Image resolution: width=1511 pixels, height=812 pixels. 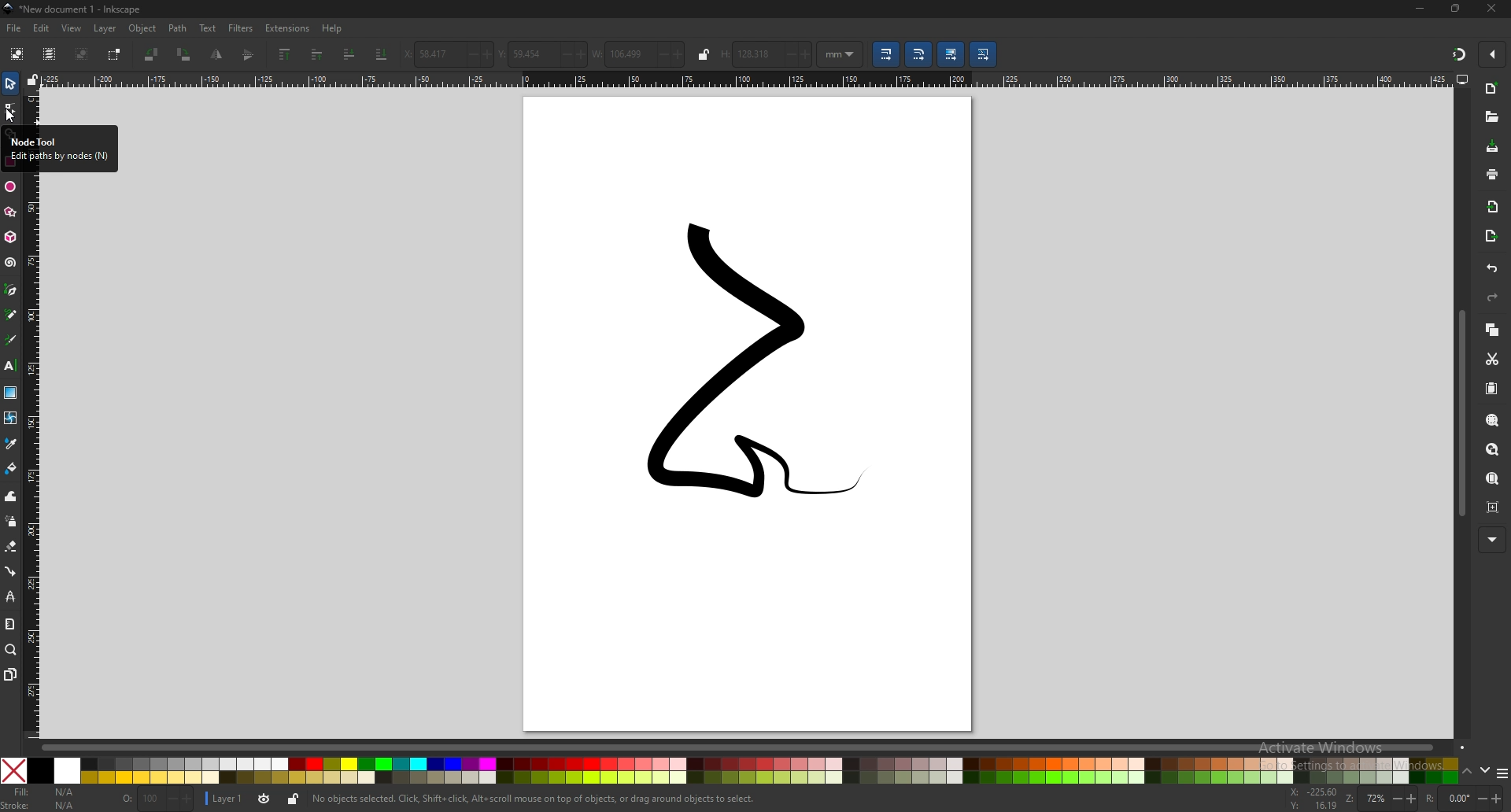 What do you see at coordinates (1492, 540) in the screenshot?
I see `more` at bounding box center [1492, 540].